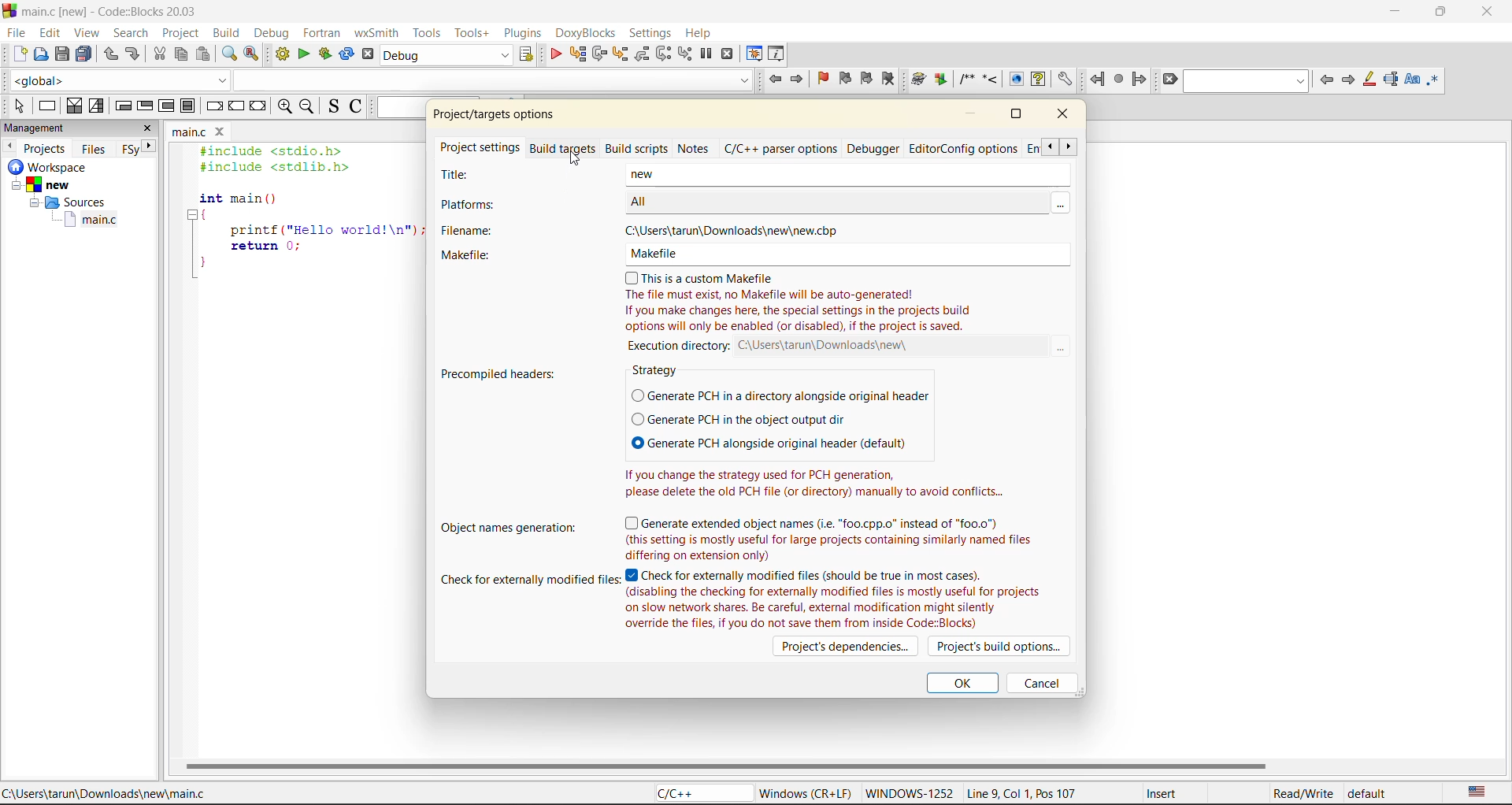 The height and width of the screenshot is (805, 1512). Describe the element at coordinates (888, 78) in the screenshot. I see `clear bookmark` at that location.